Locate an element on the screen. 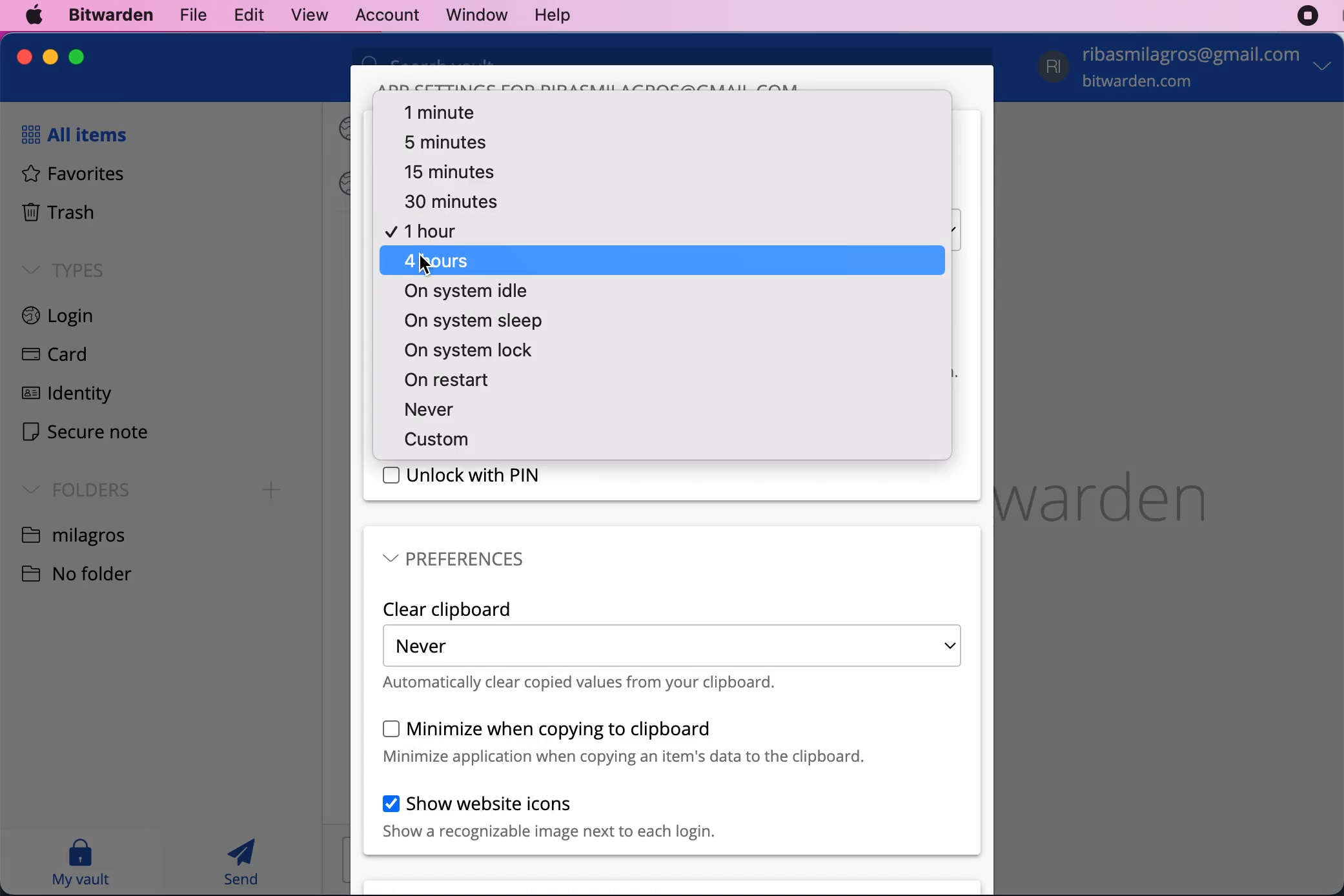  file is located at coordinates (190, 14).